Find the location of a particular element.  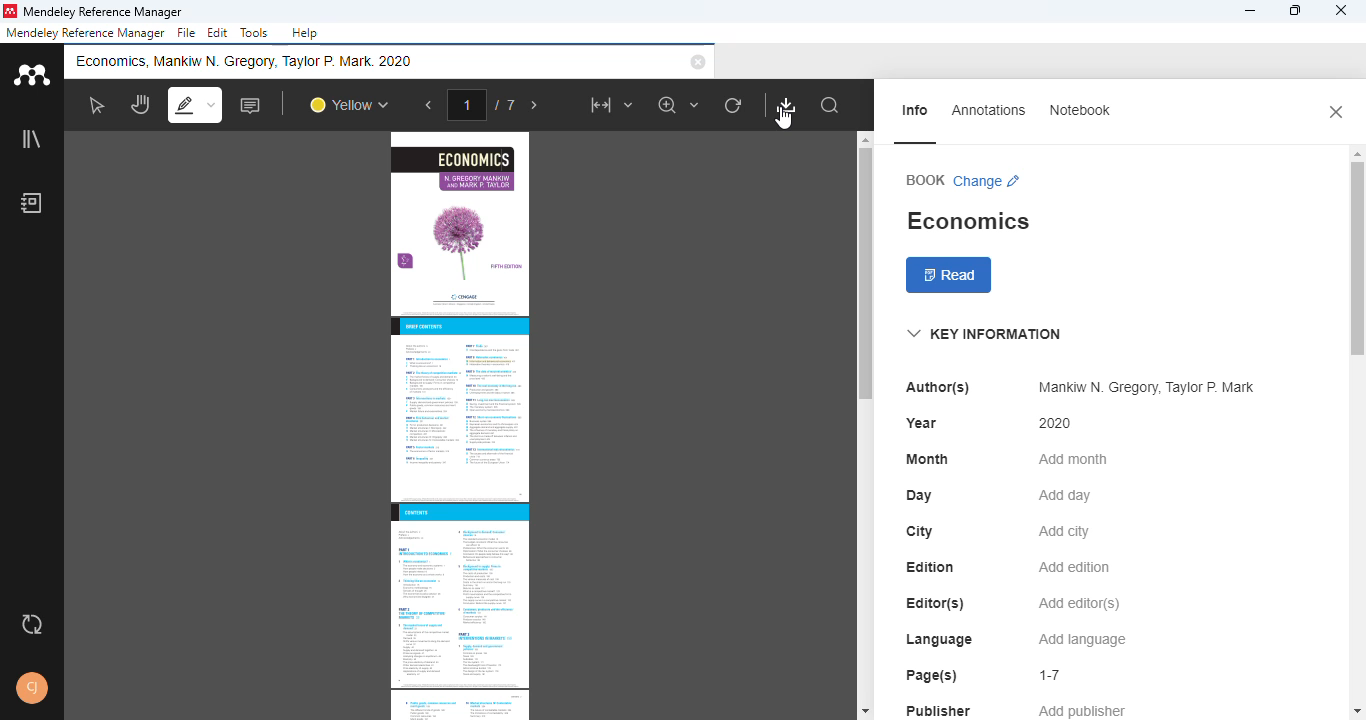

economics is located at coordinates (967, 221).